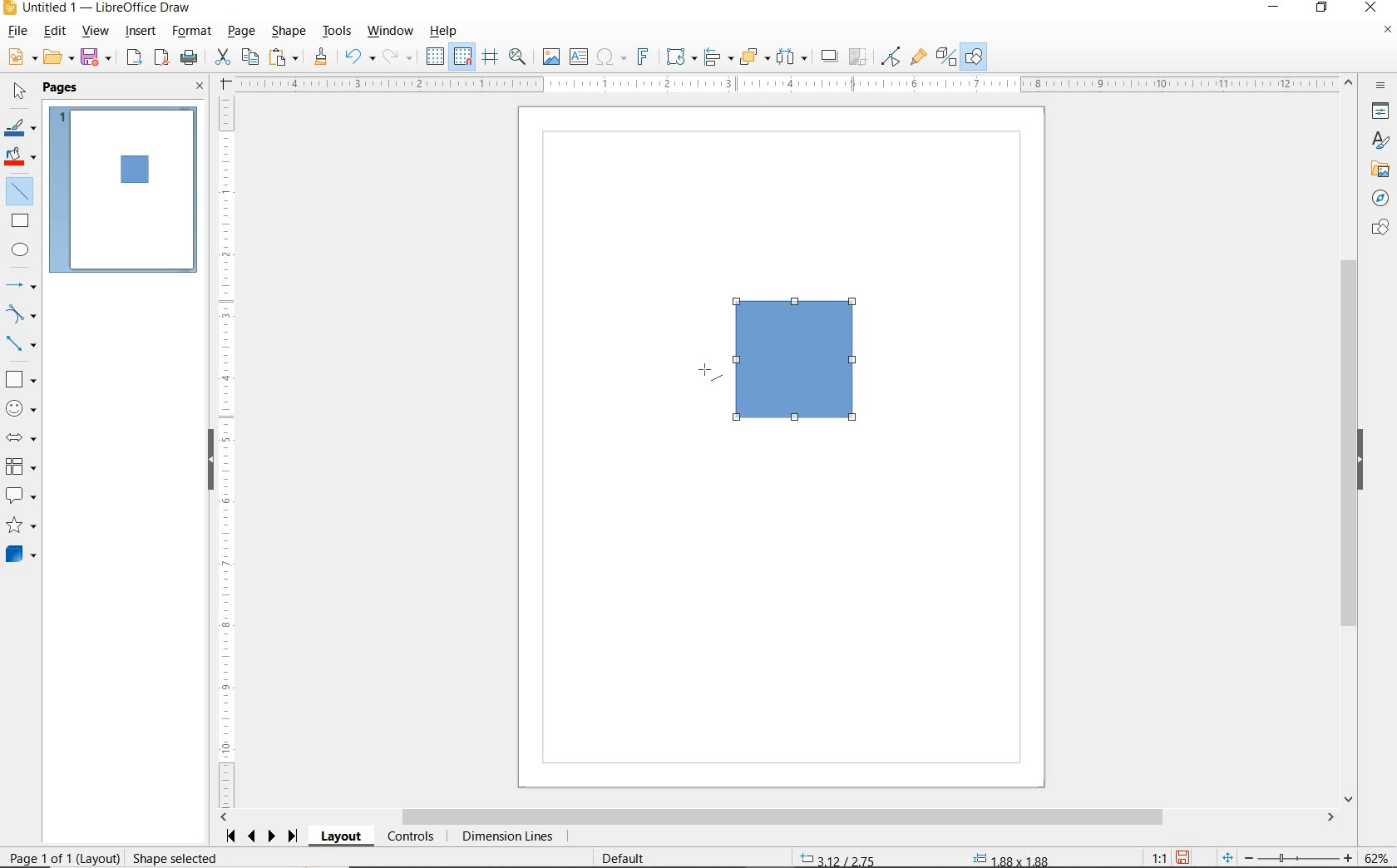 This screenshot has width=1397, height=868. What do you see at coordinates (1278, 8) in the screenshot?
I see `MINIMIZE` at bounding box center [1278, 8].